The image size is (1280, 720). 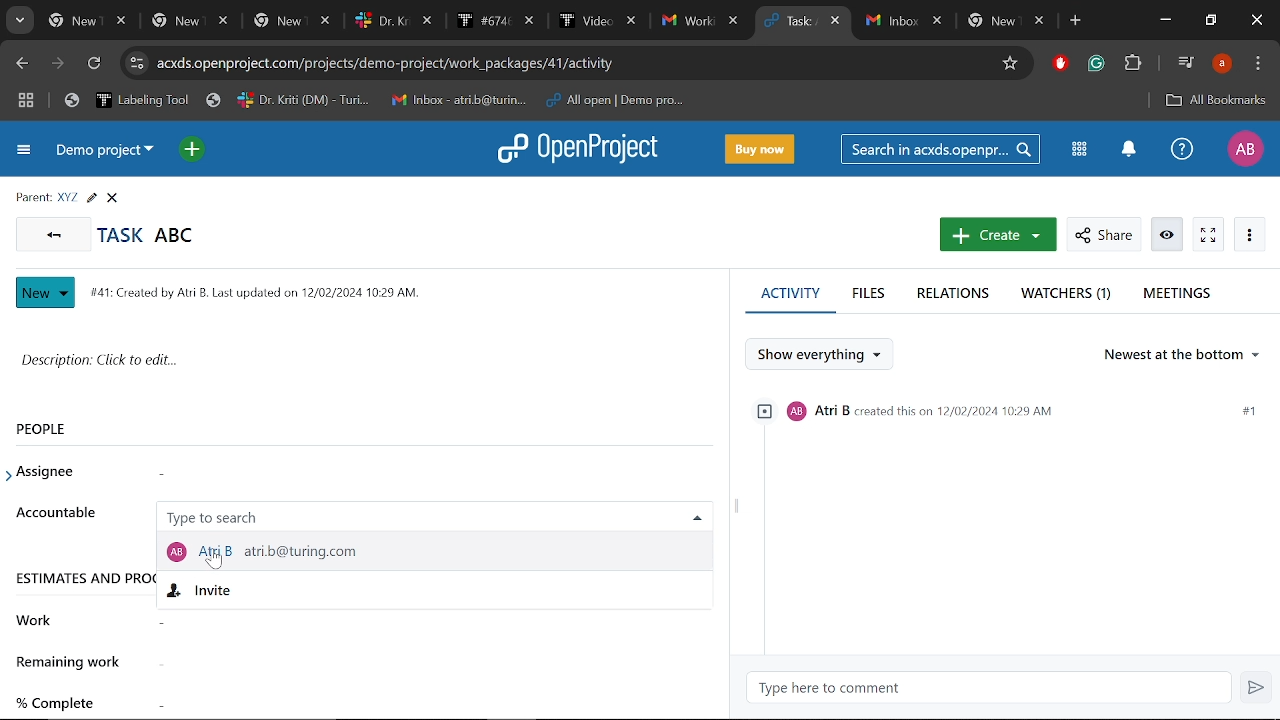 What do you see at coordinates (18, 21) in the screenshot?
I see `Search tabs` at bounding box center [18, 21].